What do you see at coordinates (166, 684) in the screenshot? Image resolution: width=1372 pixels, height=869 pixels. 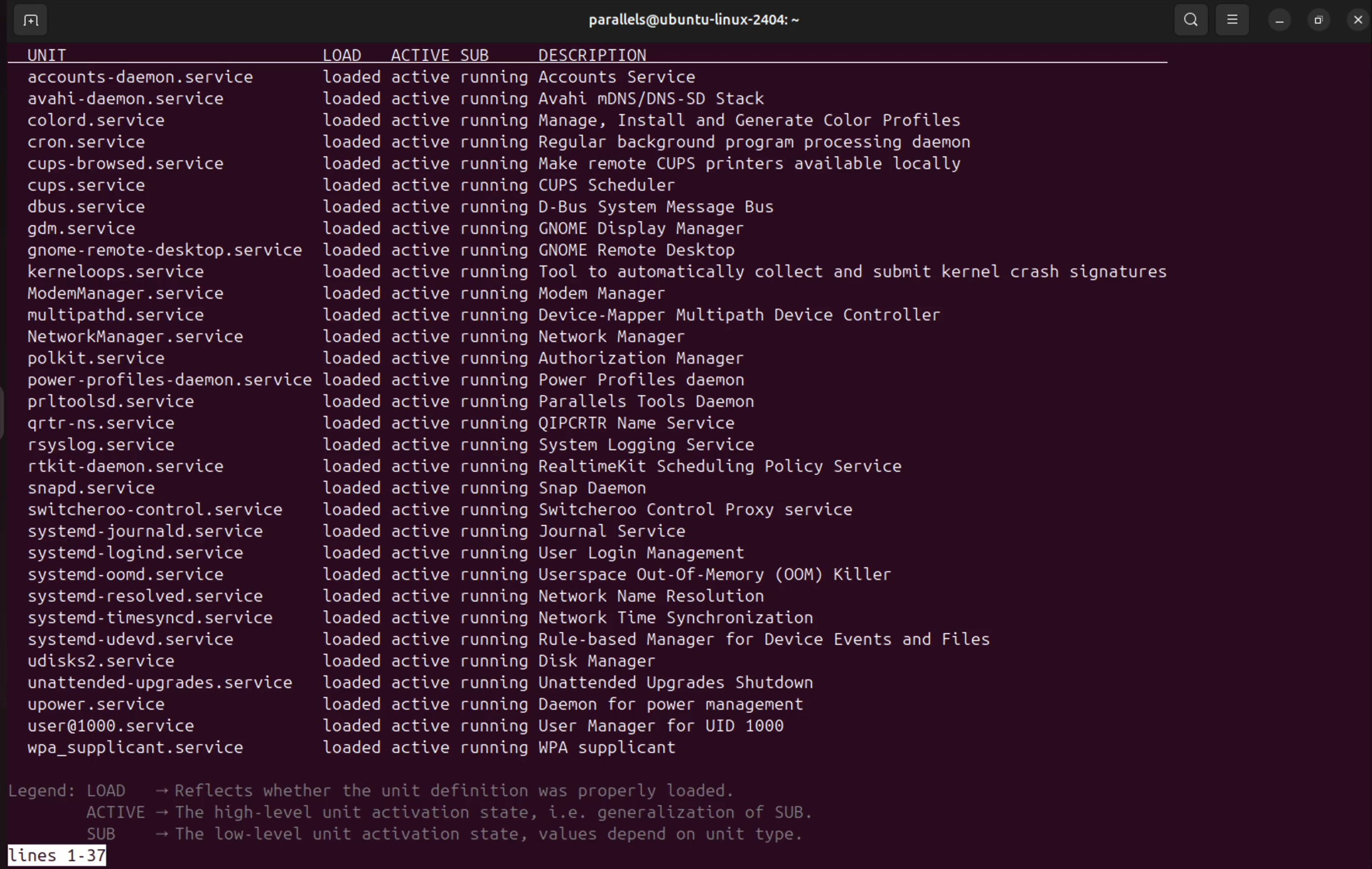 I see `un attended service` at bounding box center [166, 684].